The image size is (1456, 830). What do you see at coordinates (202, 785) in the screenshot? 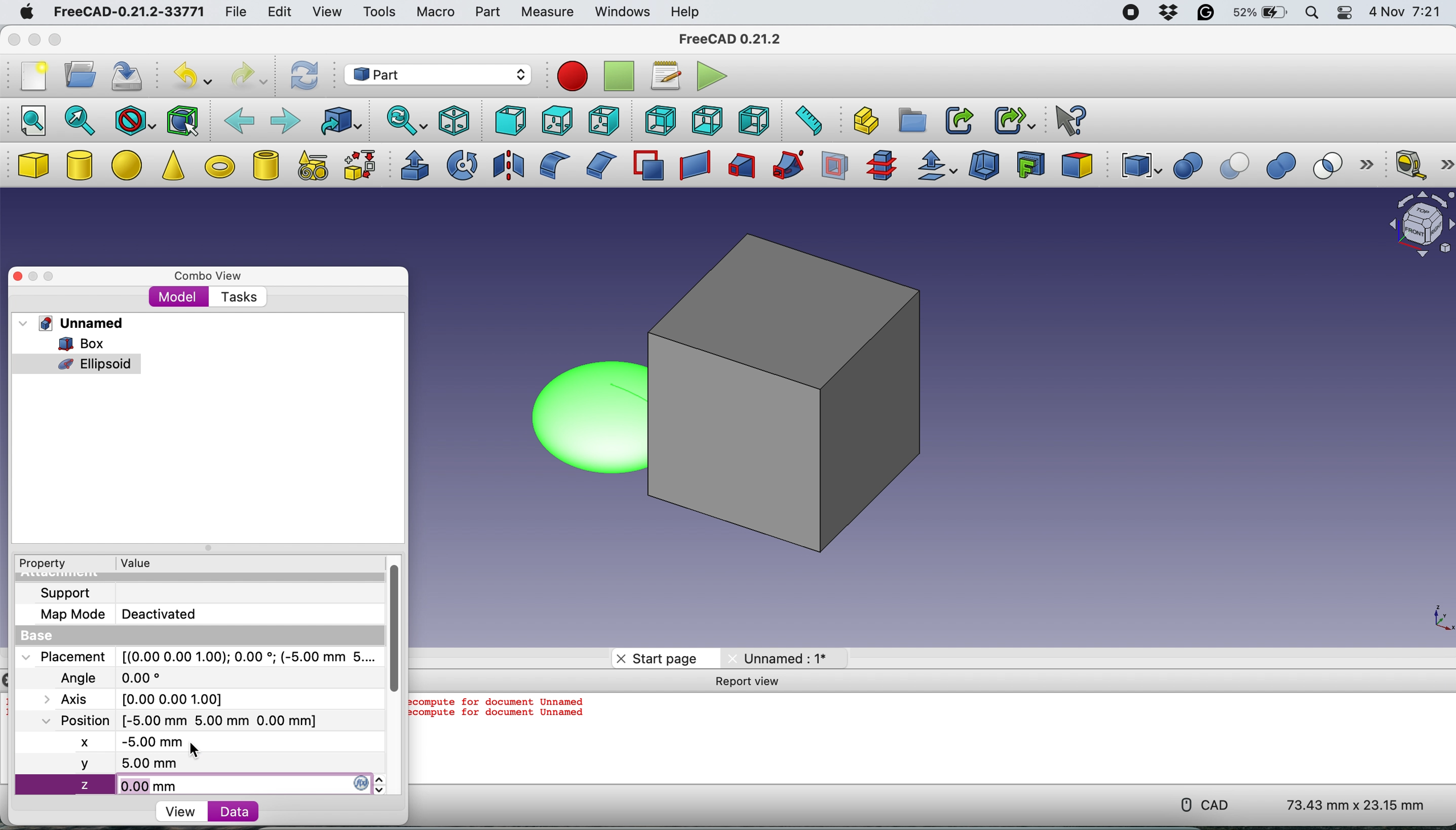
I see `z 0.00 mm` at bounding box center [202, 785].